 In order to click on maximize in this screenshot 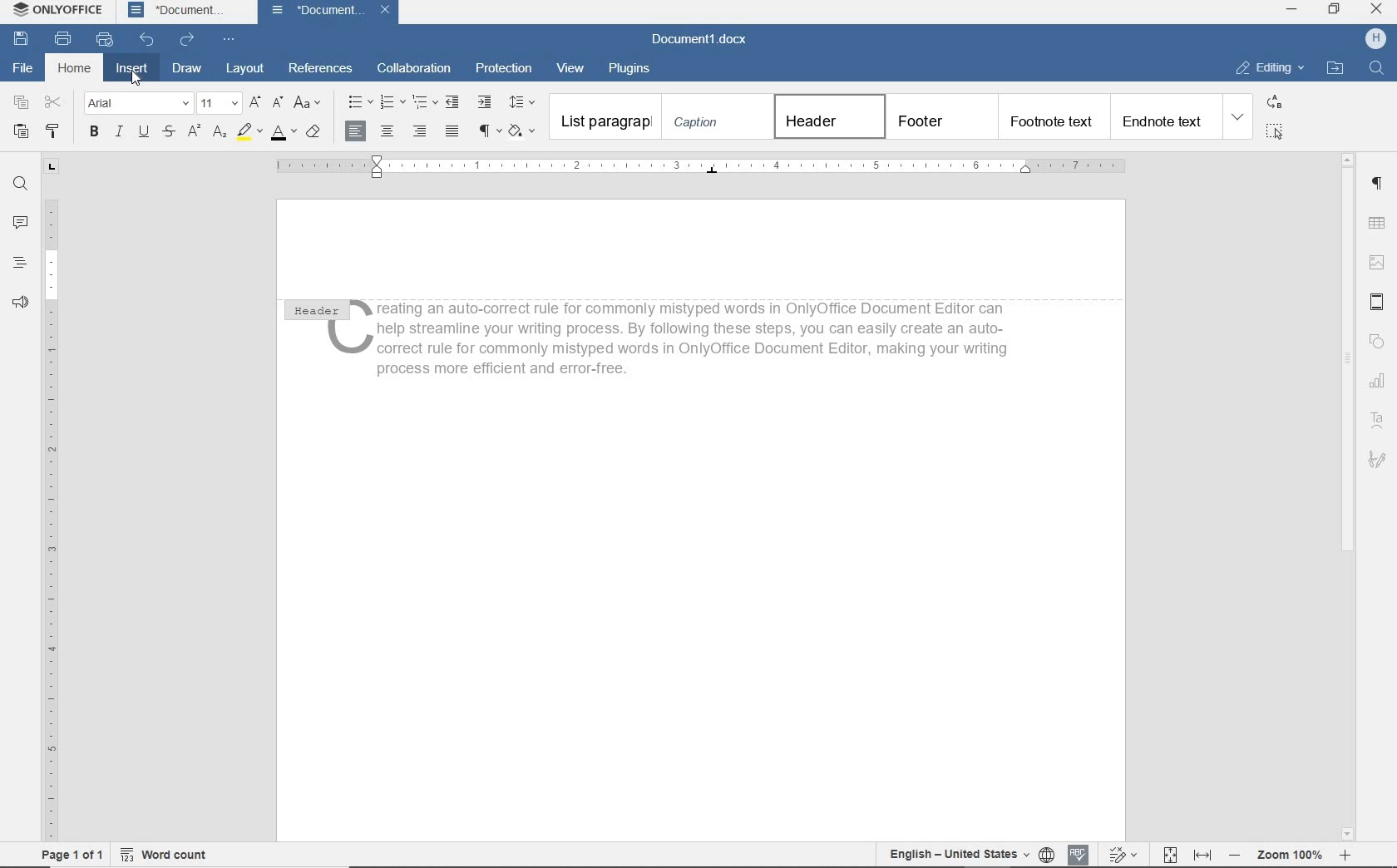, I will do `click(1335, 10)`.